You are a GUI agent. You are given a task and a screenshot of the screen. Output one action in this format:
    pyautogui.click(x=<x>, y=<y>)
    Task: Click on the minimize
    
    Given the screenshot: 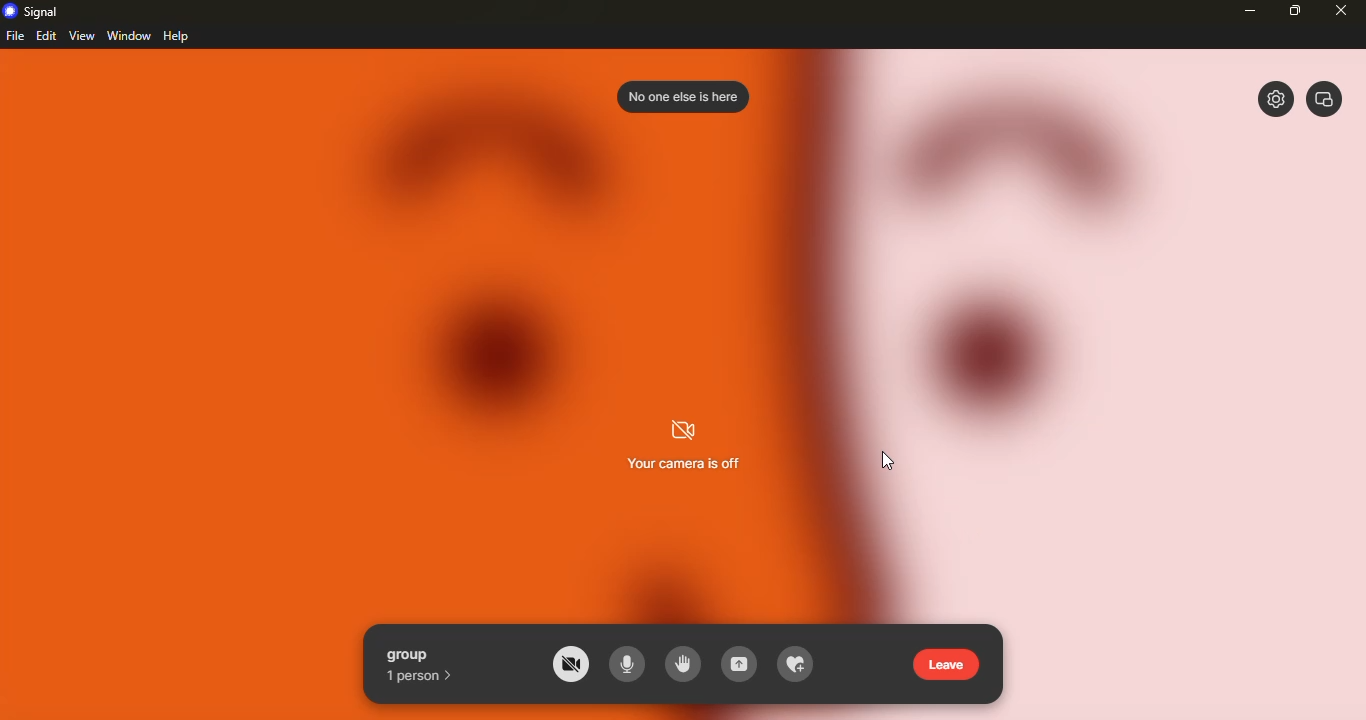 What is the action you would take?
    pyautogui.click(x=1249, y=11)
    